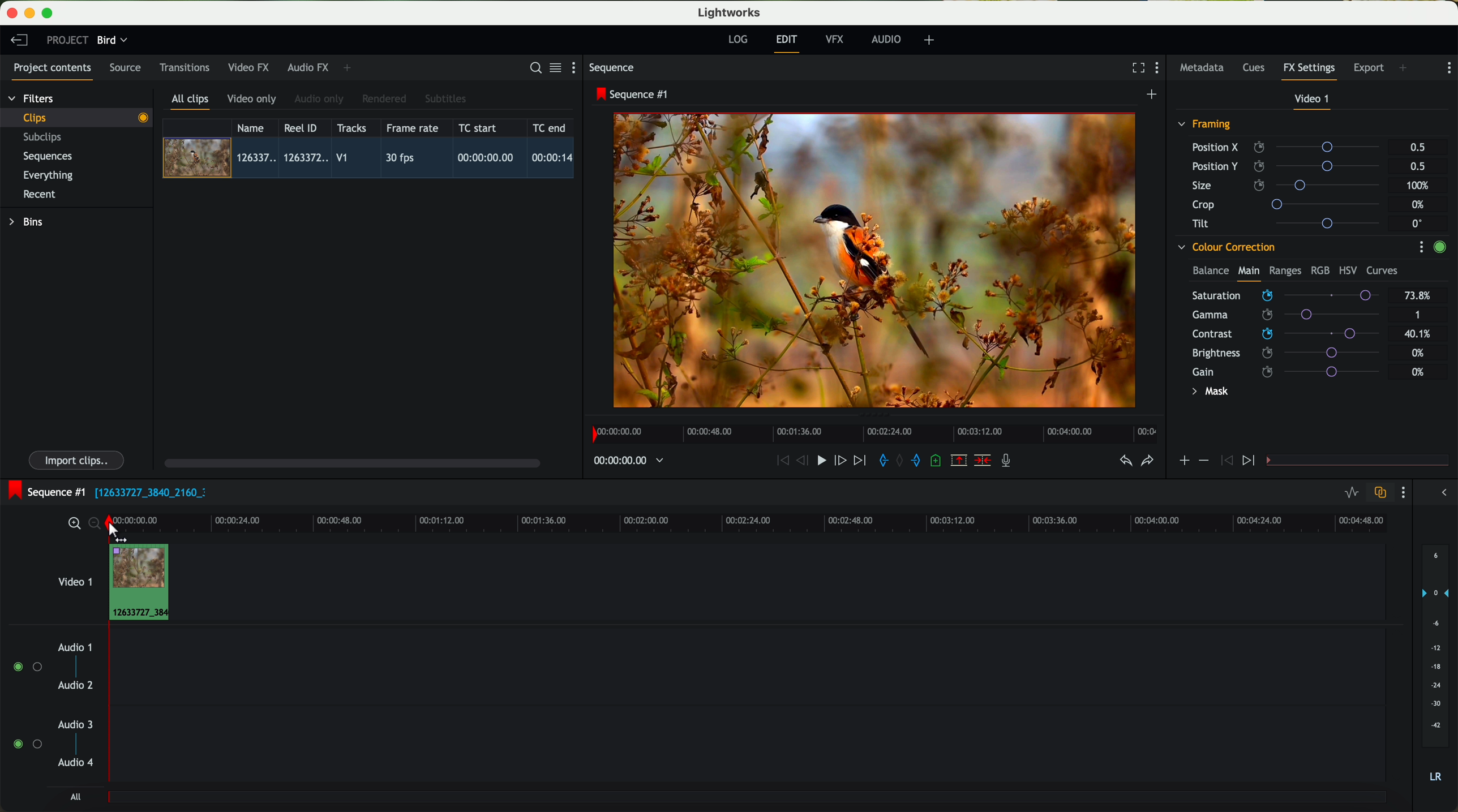 This screenshot has height=812, width=1458. What do you see at coordinates (1291, 223) in the screenshot?
I see `tilt` at bounding box center [1291, 223].